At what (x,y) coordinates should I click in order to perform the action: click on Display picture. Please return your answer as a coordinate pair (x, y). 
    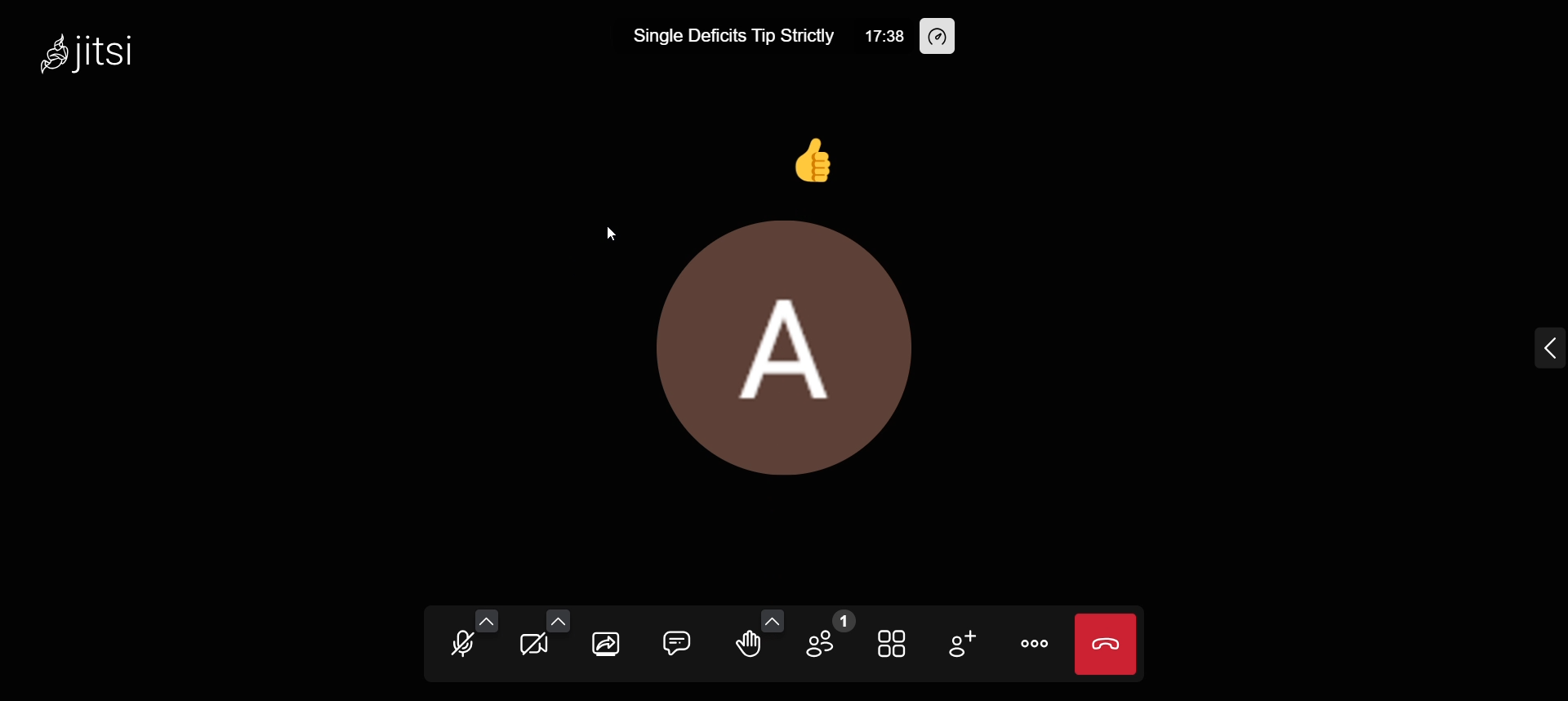
    Looking at the image, I should click on (822, 353).